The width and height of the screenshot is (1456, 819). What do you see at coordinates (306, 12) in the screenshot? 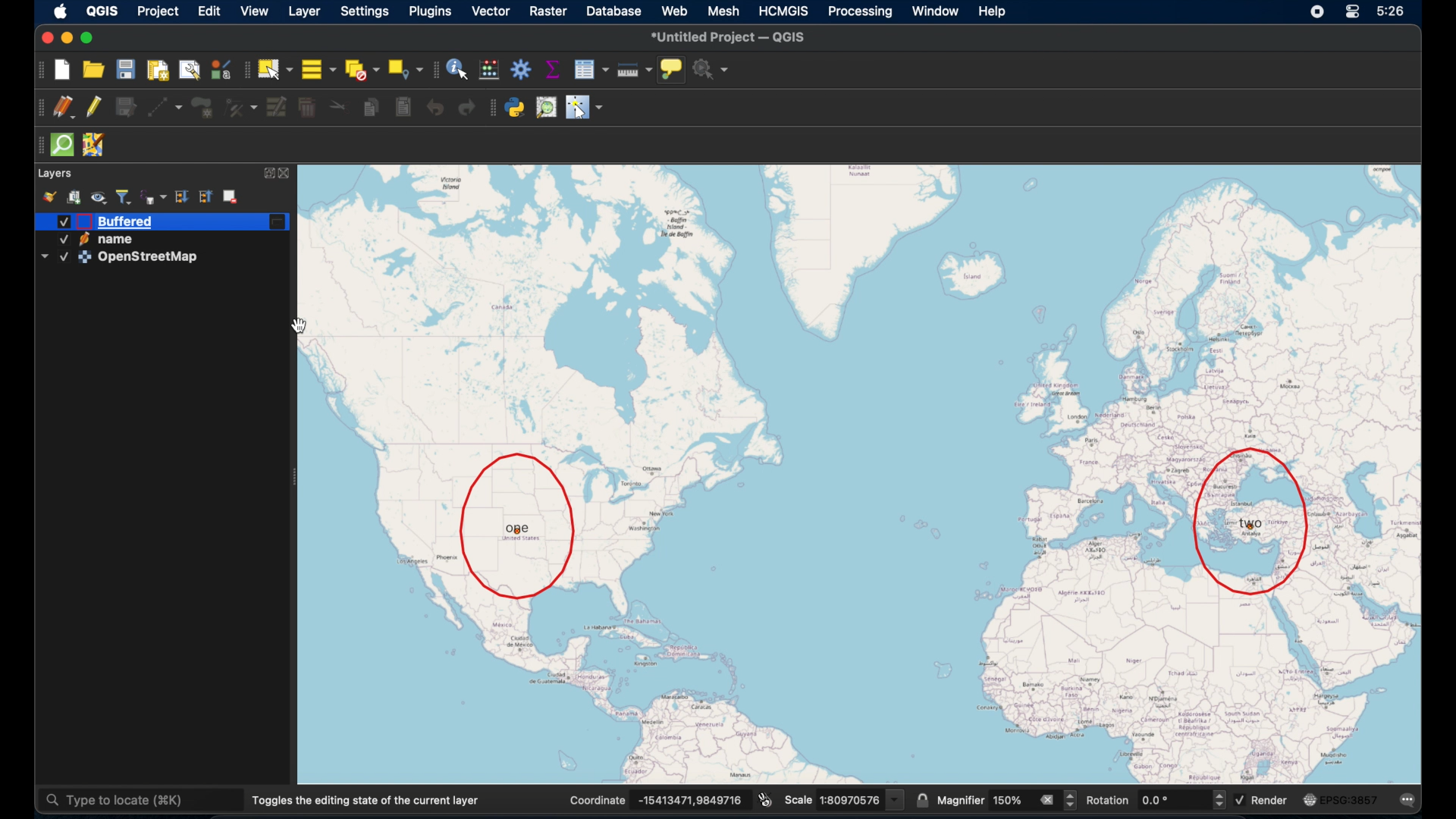
I see `layer` at bounding box center [306, 12].